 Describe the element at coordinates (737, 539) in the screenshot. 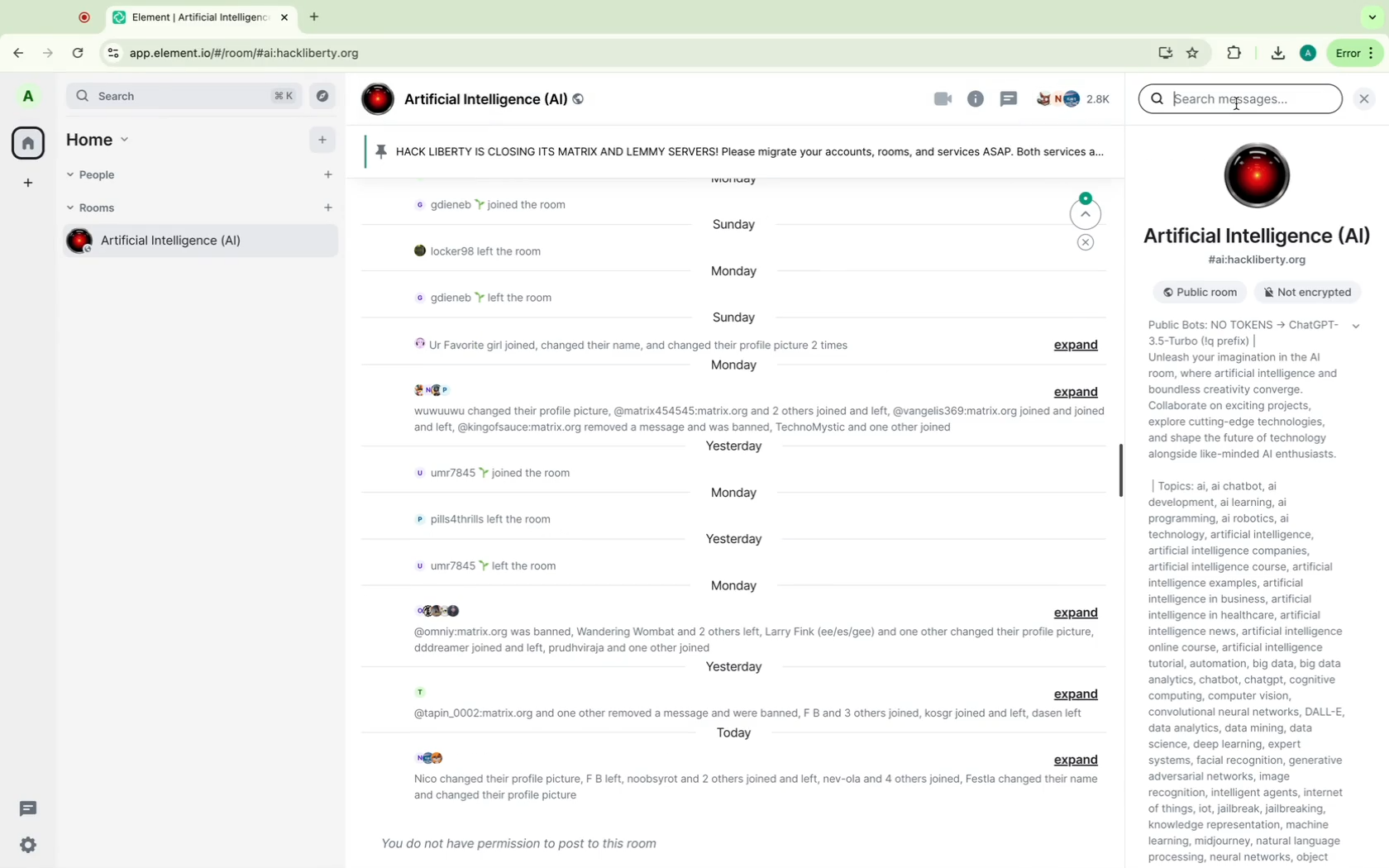

I see `day` at that location.